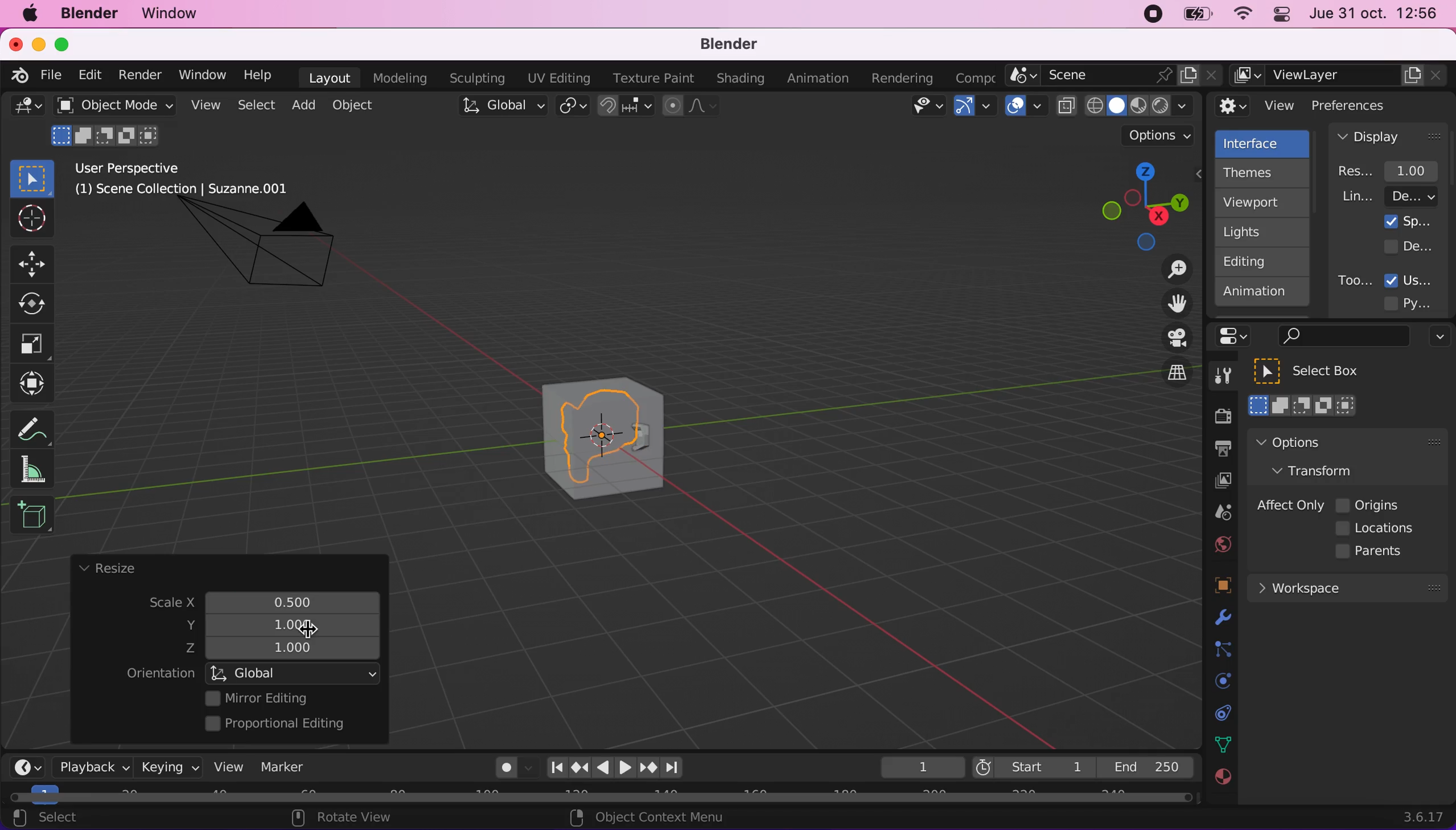 The width and height of the screenshot is (1456, 830). I want to click on click, shortcut, drag, so click(1141, 206).